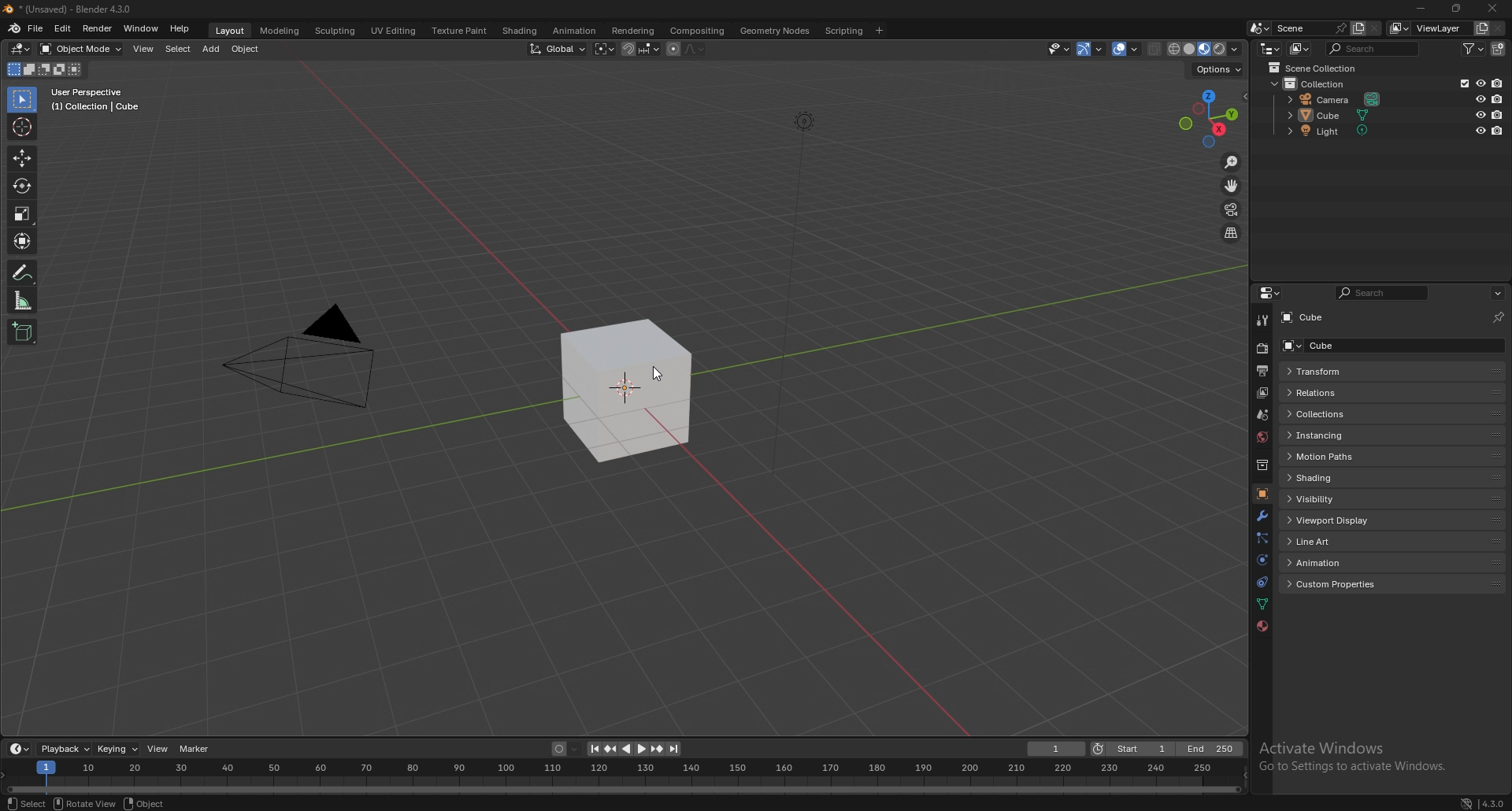  I want to click on modeling, so click(281, 30).